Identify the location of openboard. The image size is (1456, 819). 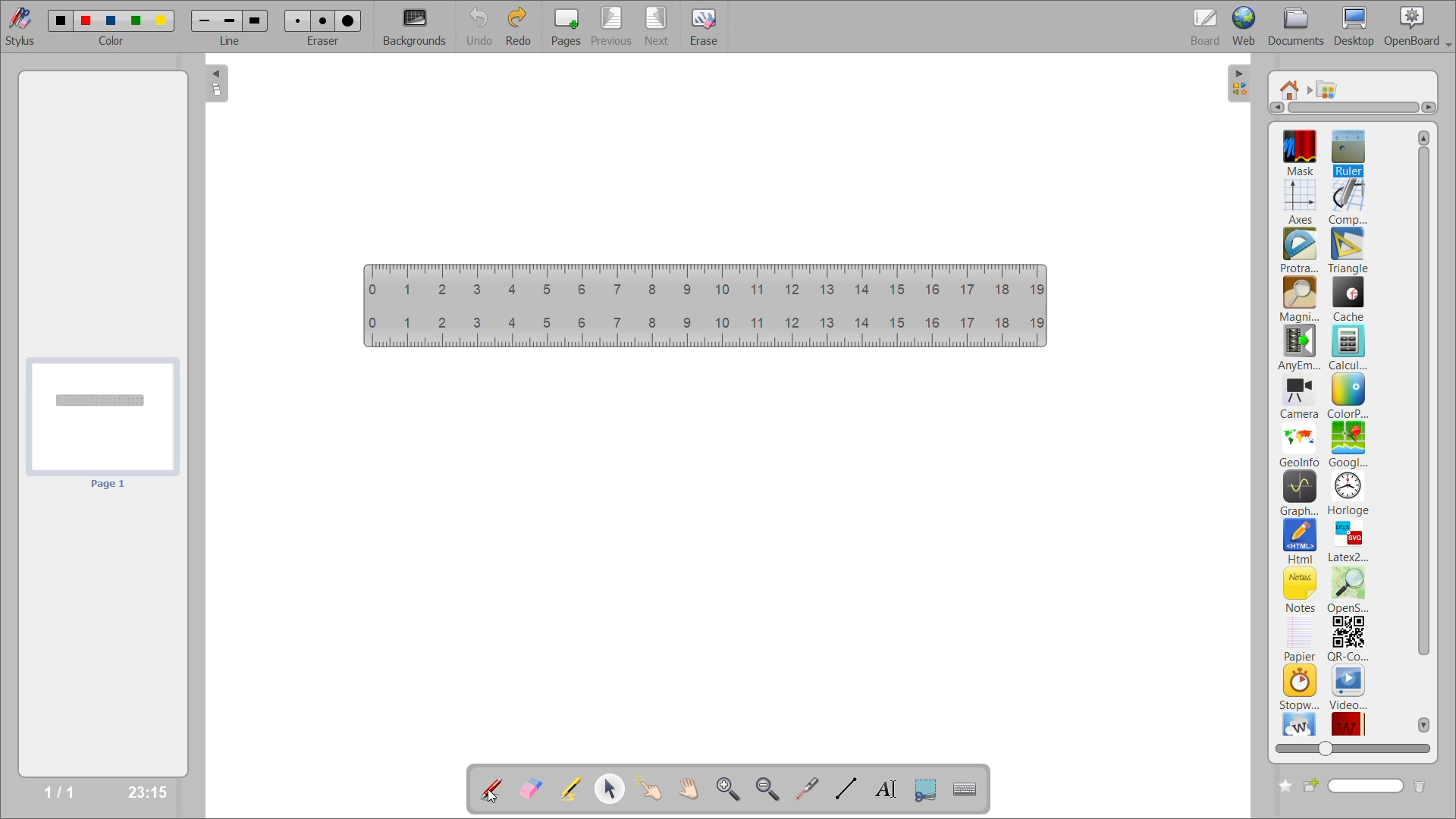
(1420, 27).